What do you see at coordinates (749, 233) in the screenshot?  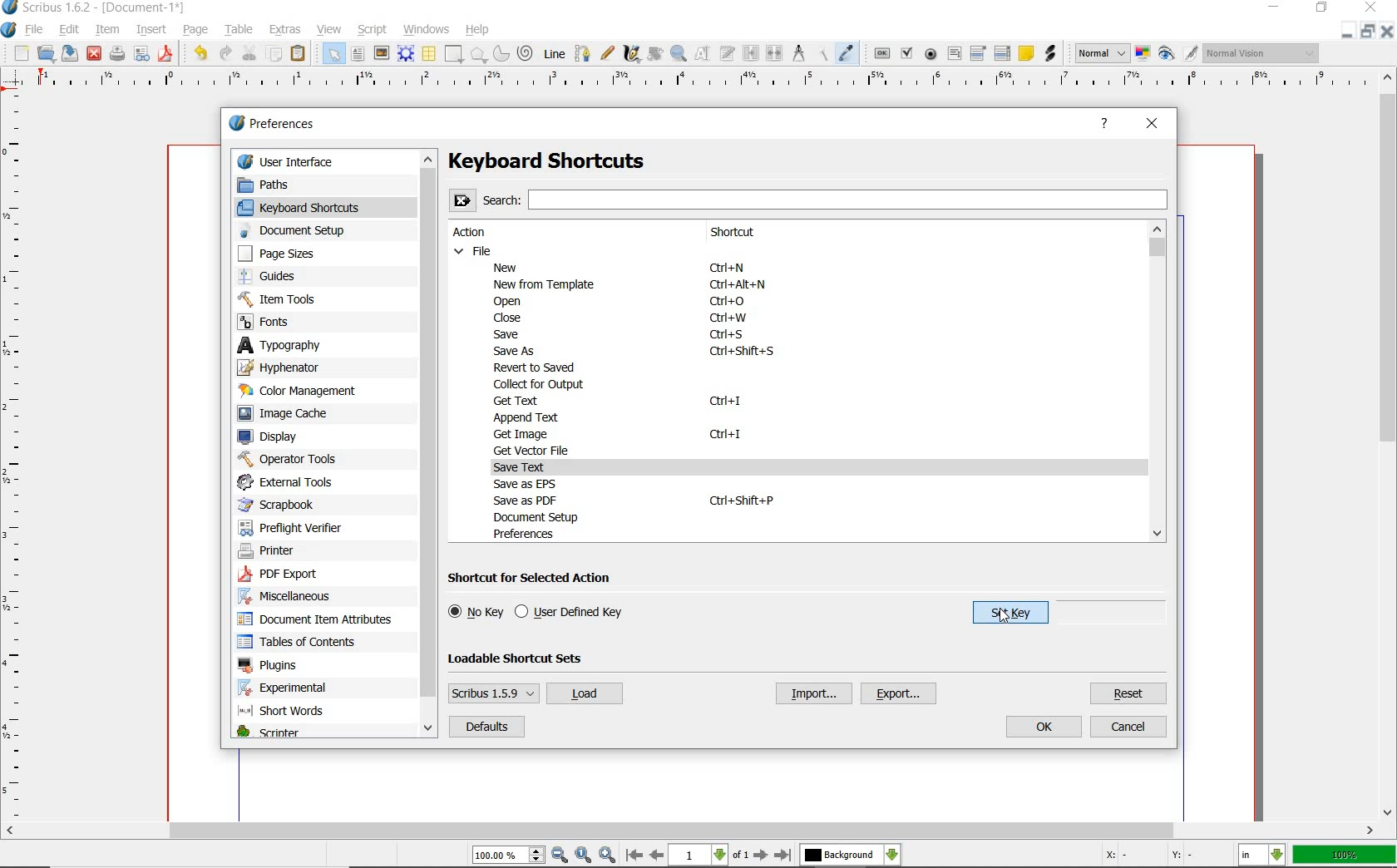 I see `shortcut` at bounding box center [749, 233].